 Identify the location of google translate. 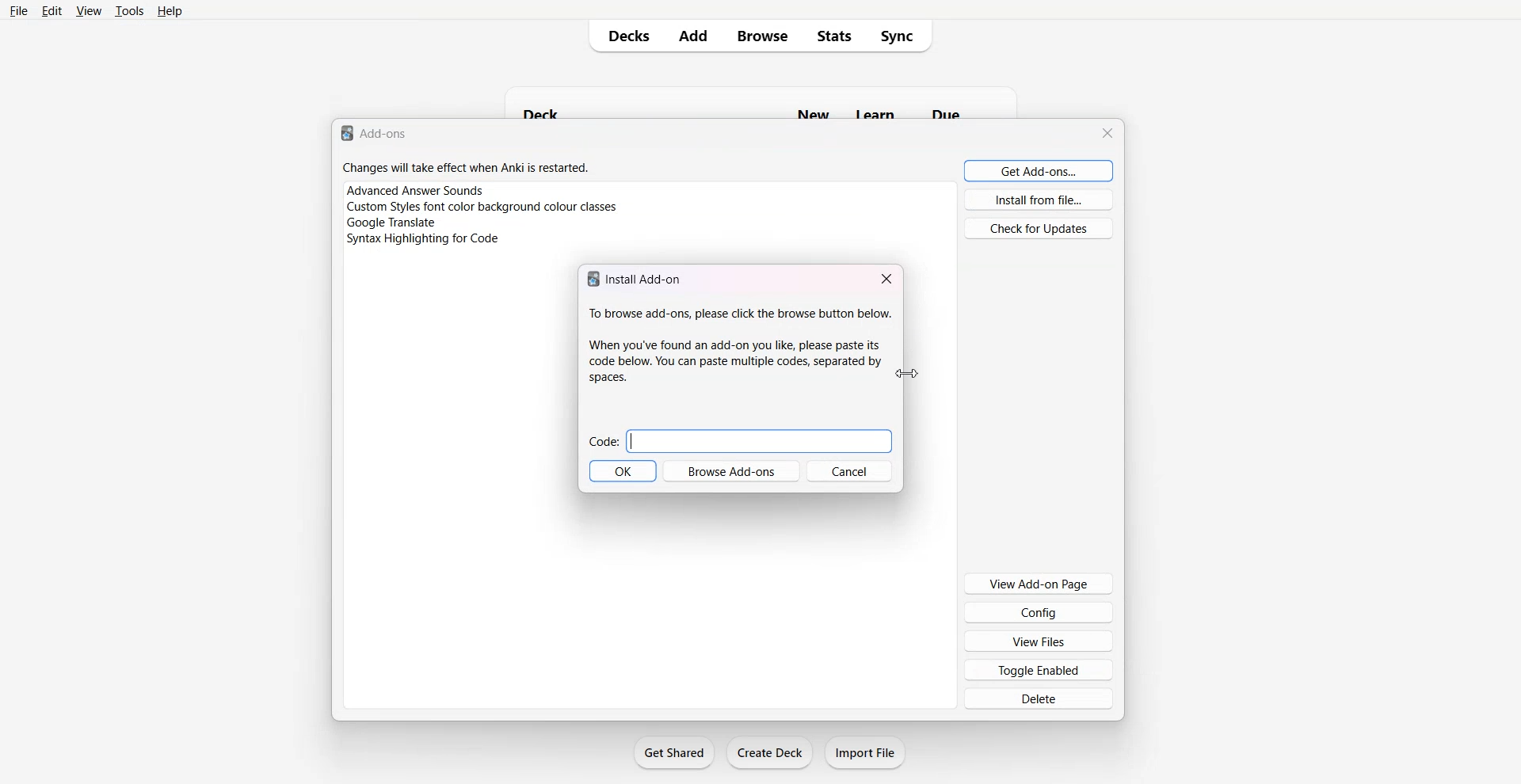
(390, 223).